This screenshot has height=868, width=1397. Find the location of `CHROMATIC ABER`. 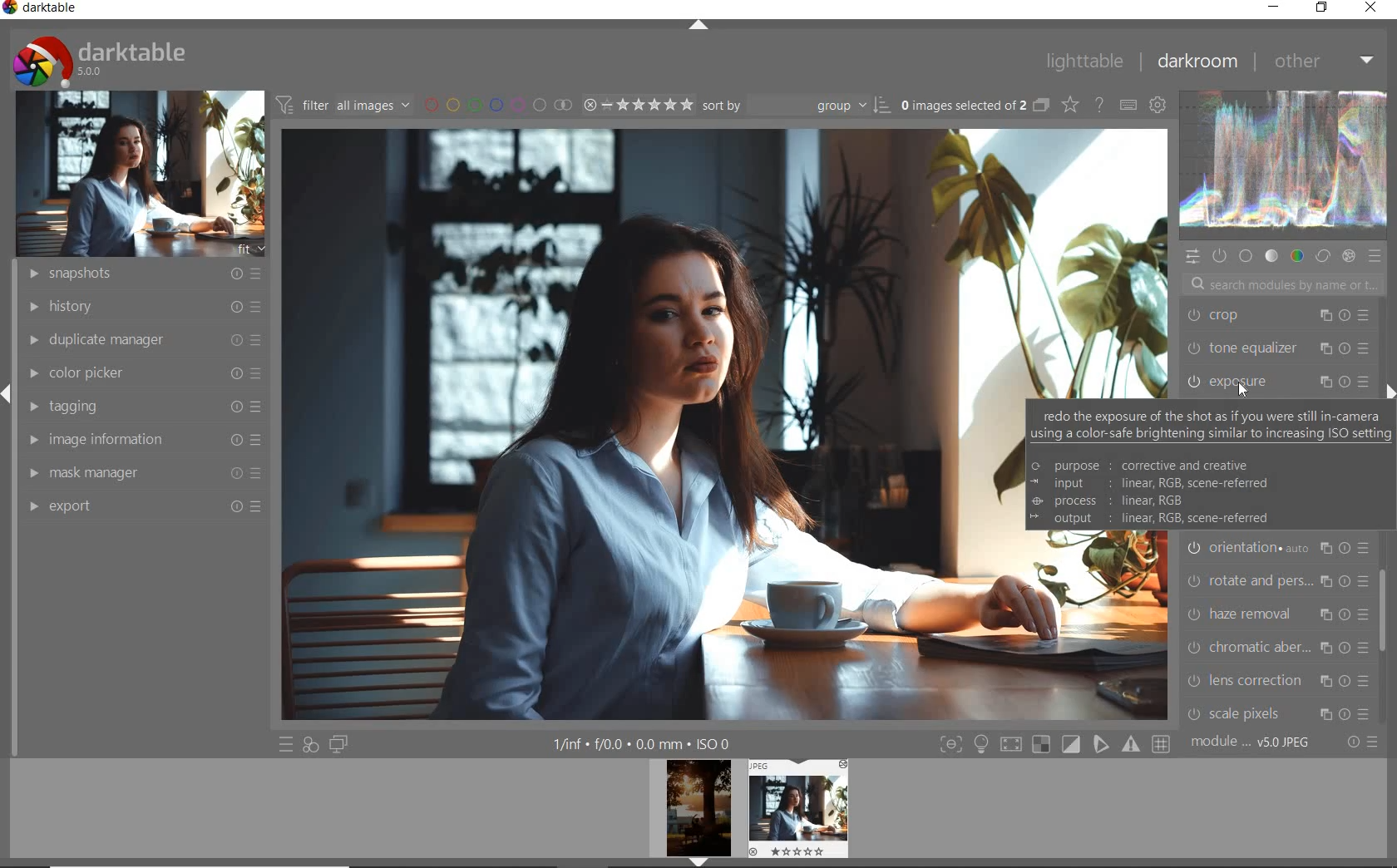

CHROMATIC ABER is located at coordinates (1276, 650).